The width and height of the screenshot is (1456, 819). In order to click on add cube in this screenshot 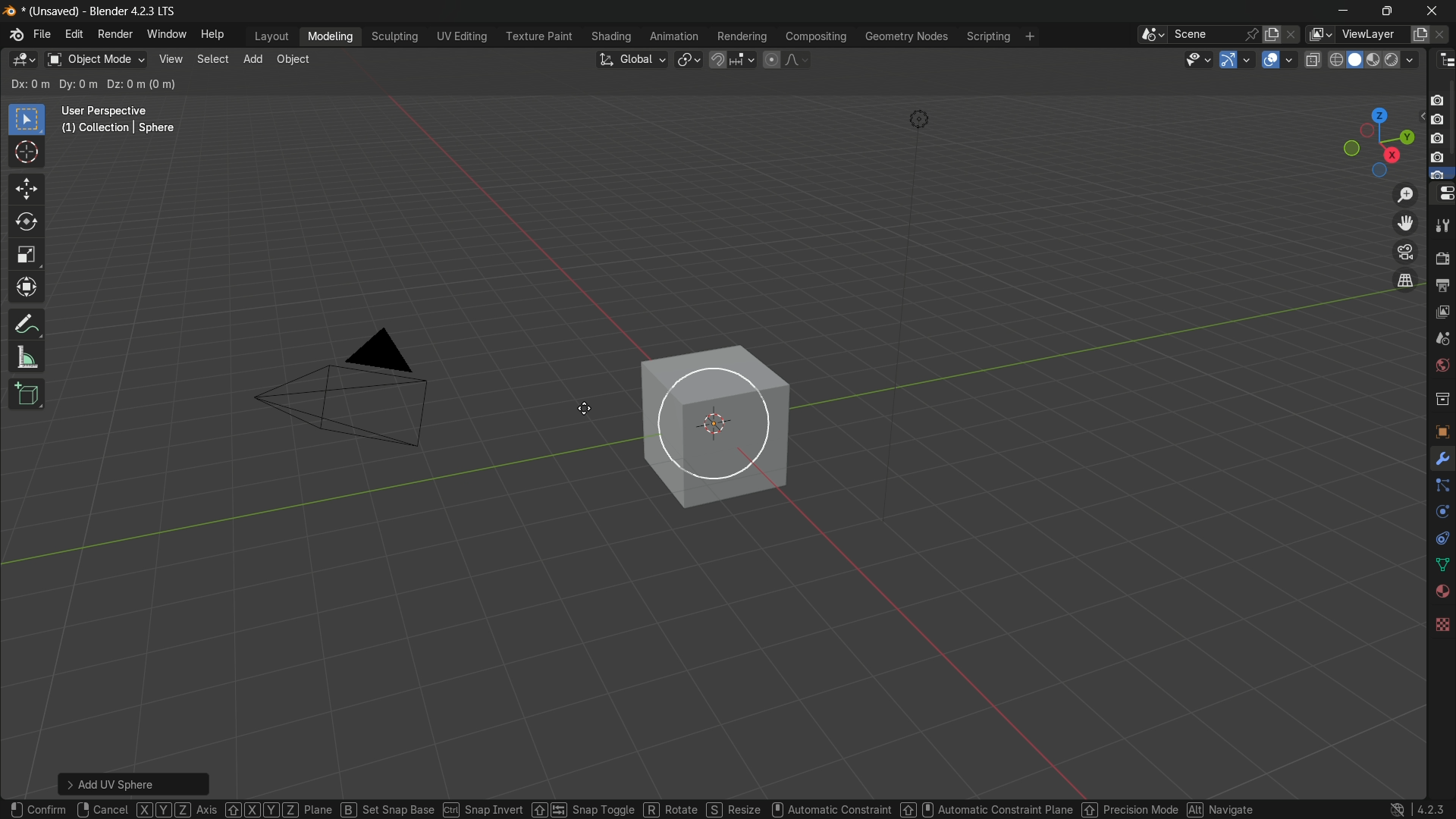, I will do `click(31, 394)`.